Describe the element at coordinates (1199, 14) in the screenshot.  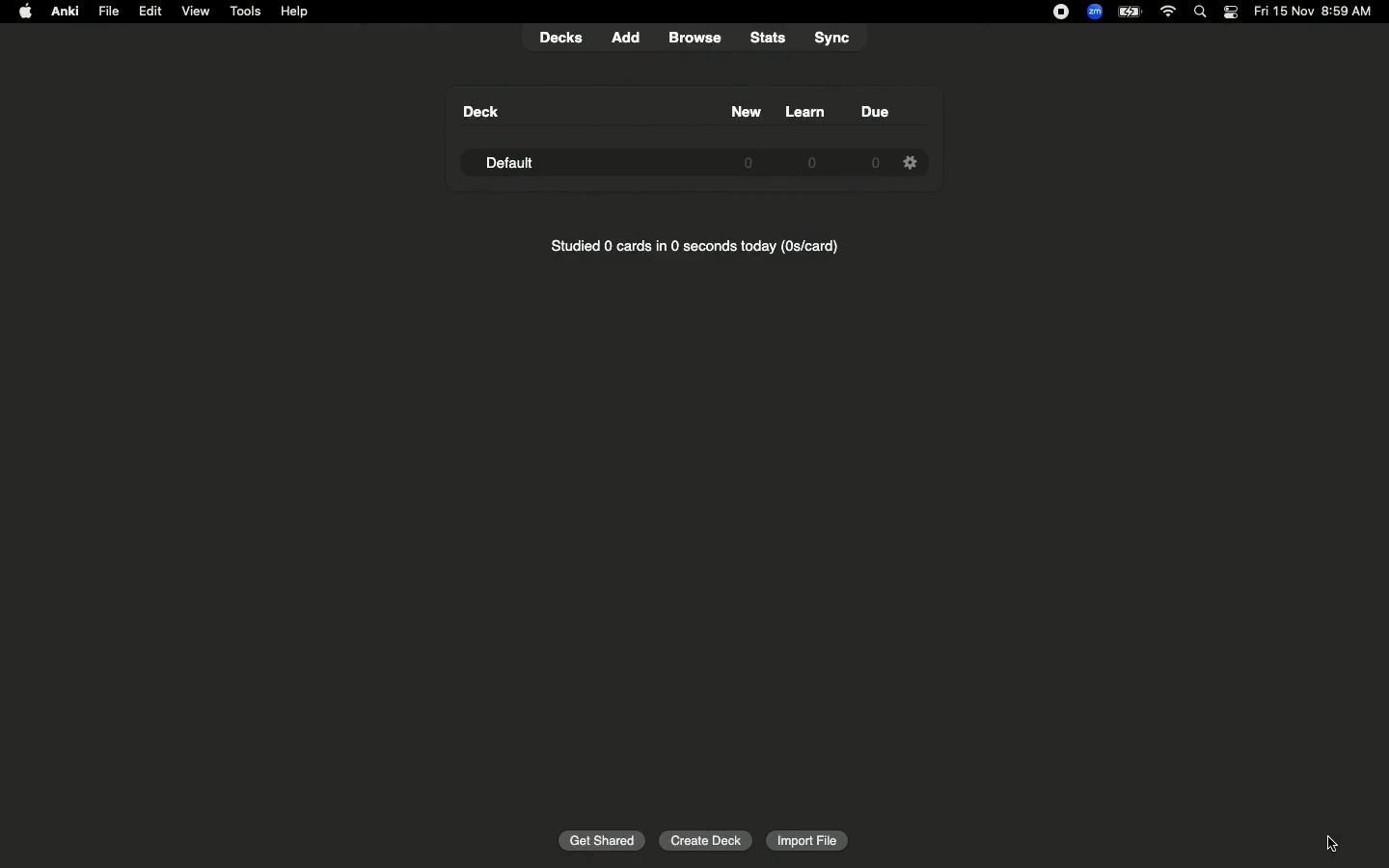
I see `Search` at that location.